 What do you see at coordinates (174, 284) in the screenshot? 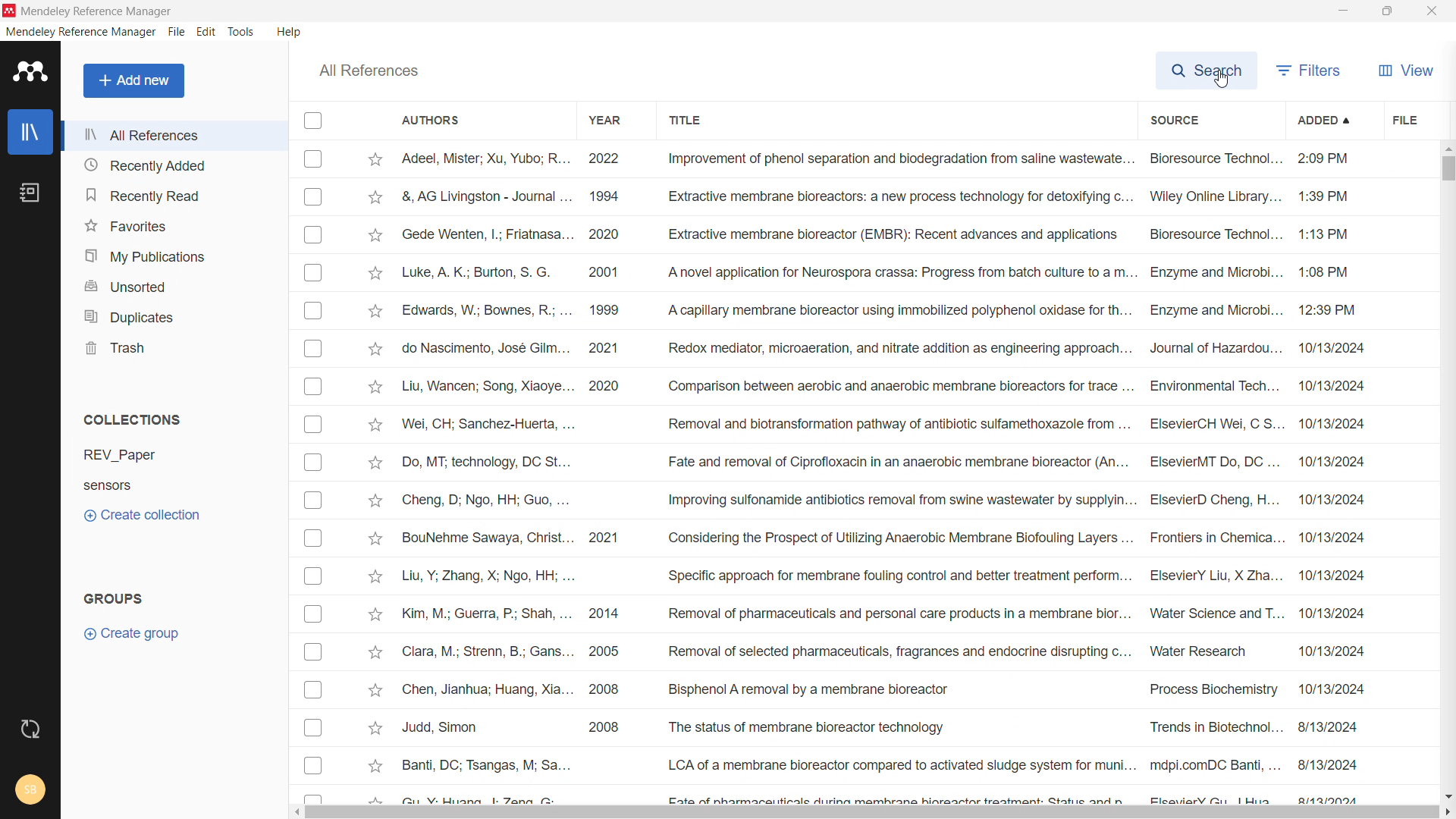
I see `unsorted` at bounding box center [174, 284].